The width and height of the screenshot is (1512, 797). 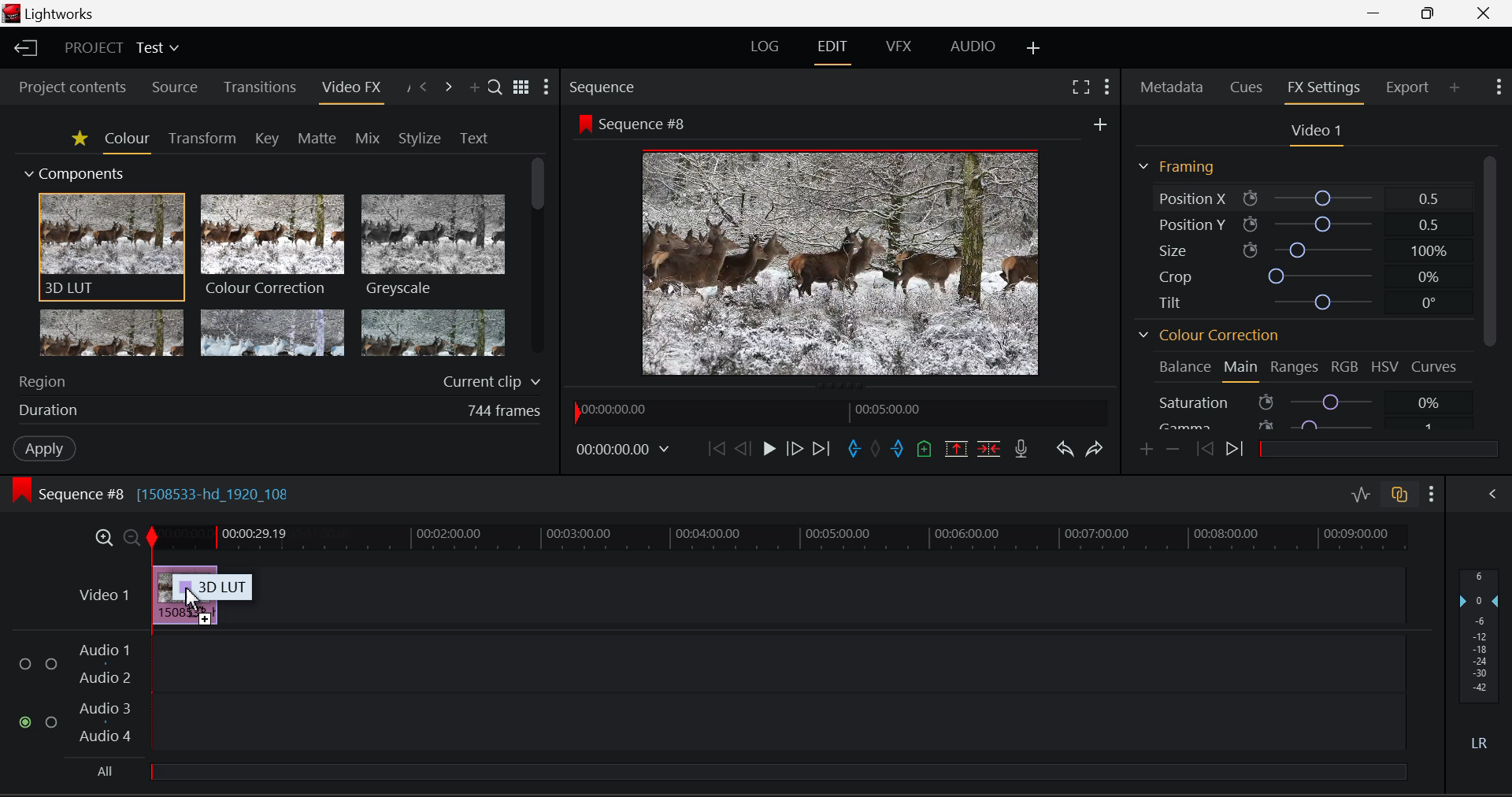 What do you see at coordinates (1173, 452) in the screenshot?
I see `Remove keyframe` at bounding box center [1173, 452].